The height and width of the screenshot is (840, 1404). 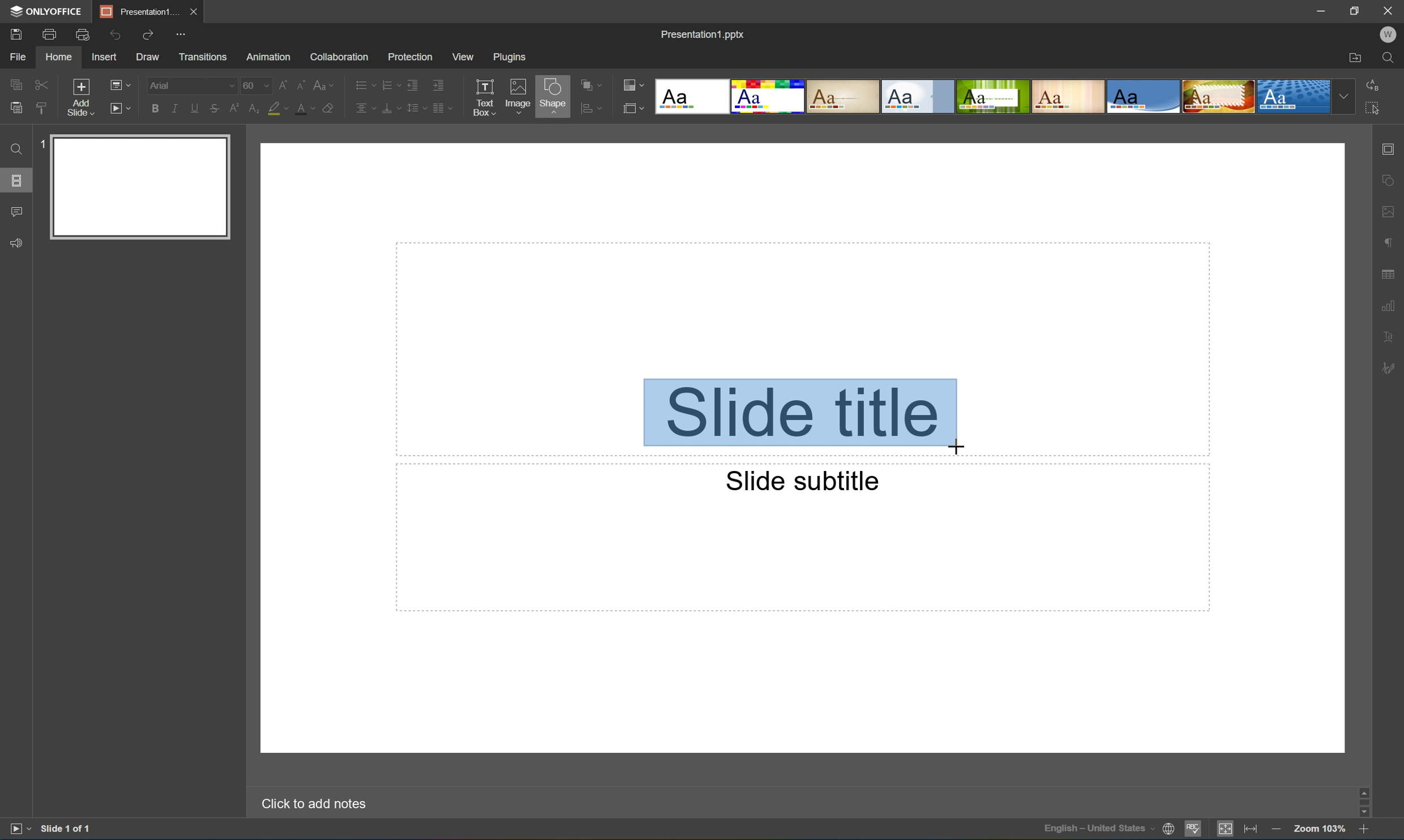 I want to click on Paste, so click(x=16, y=109).